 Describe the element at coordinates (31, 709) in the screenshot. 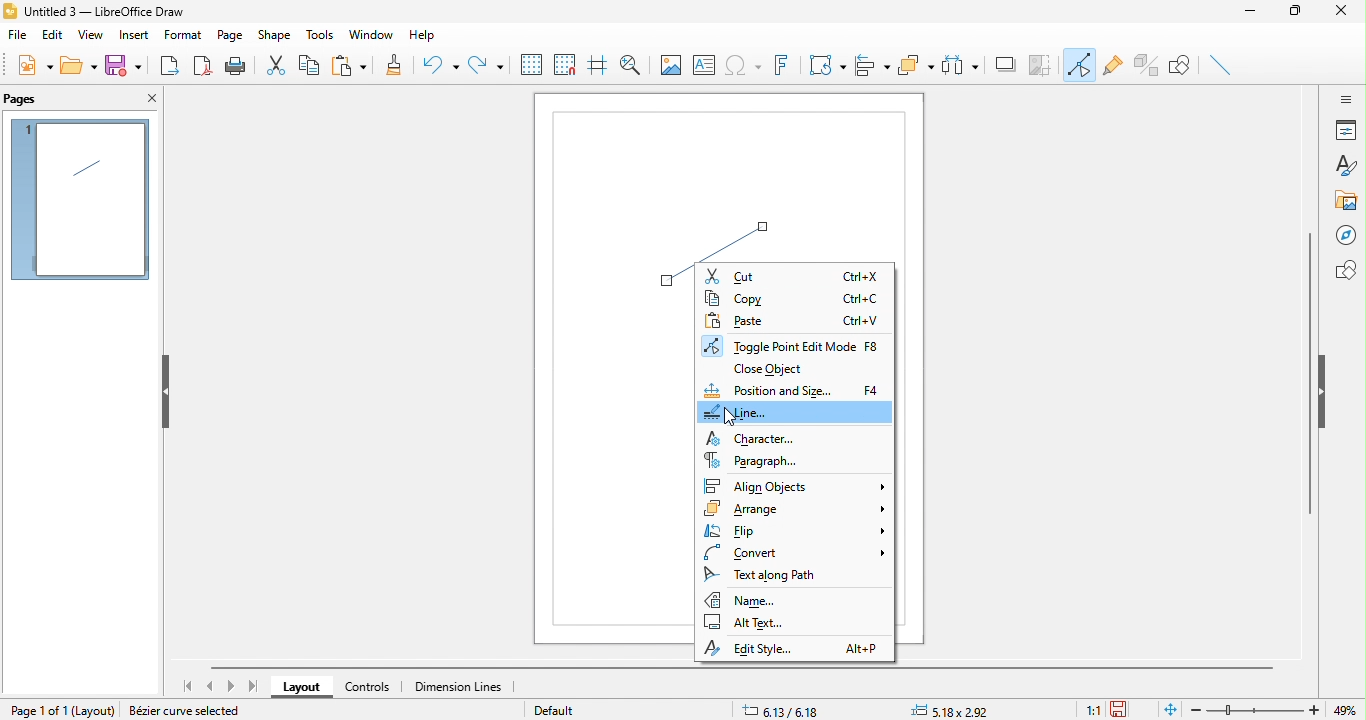

I see `page 1 of 1` at that location.